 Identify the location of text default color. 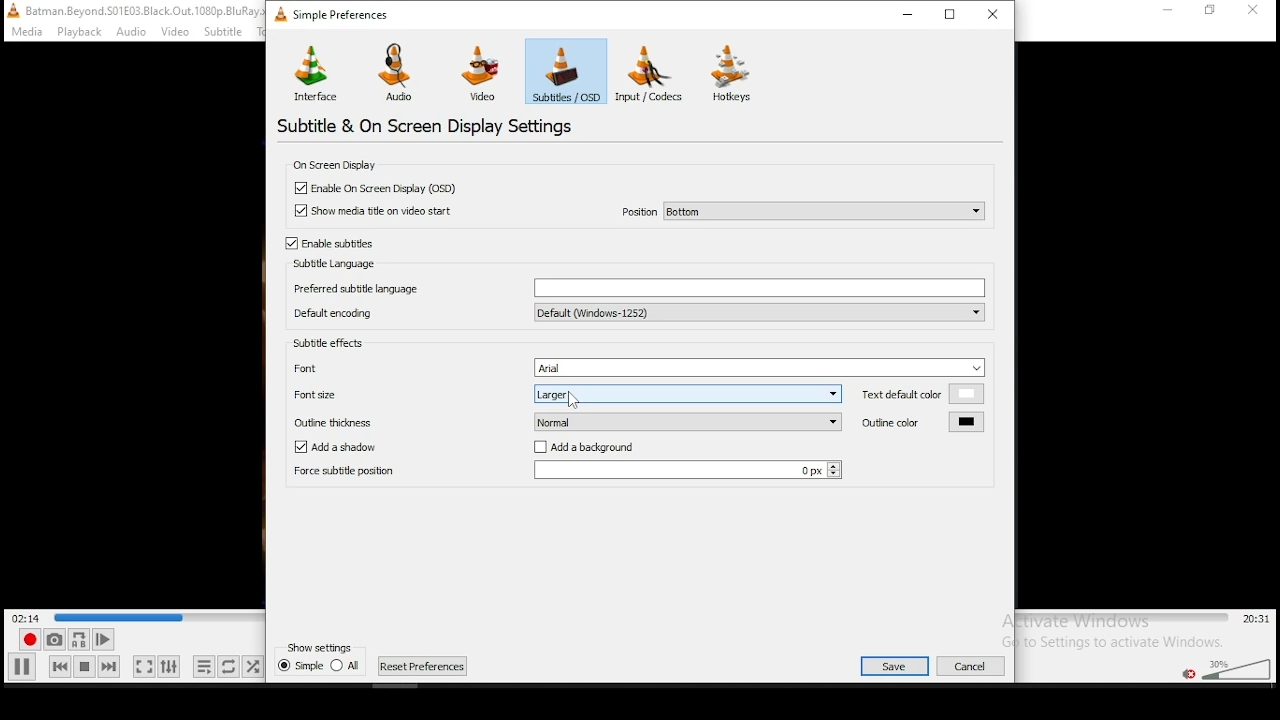
(923, 393).